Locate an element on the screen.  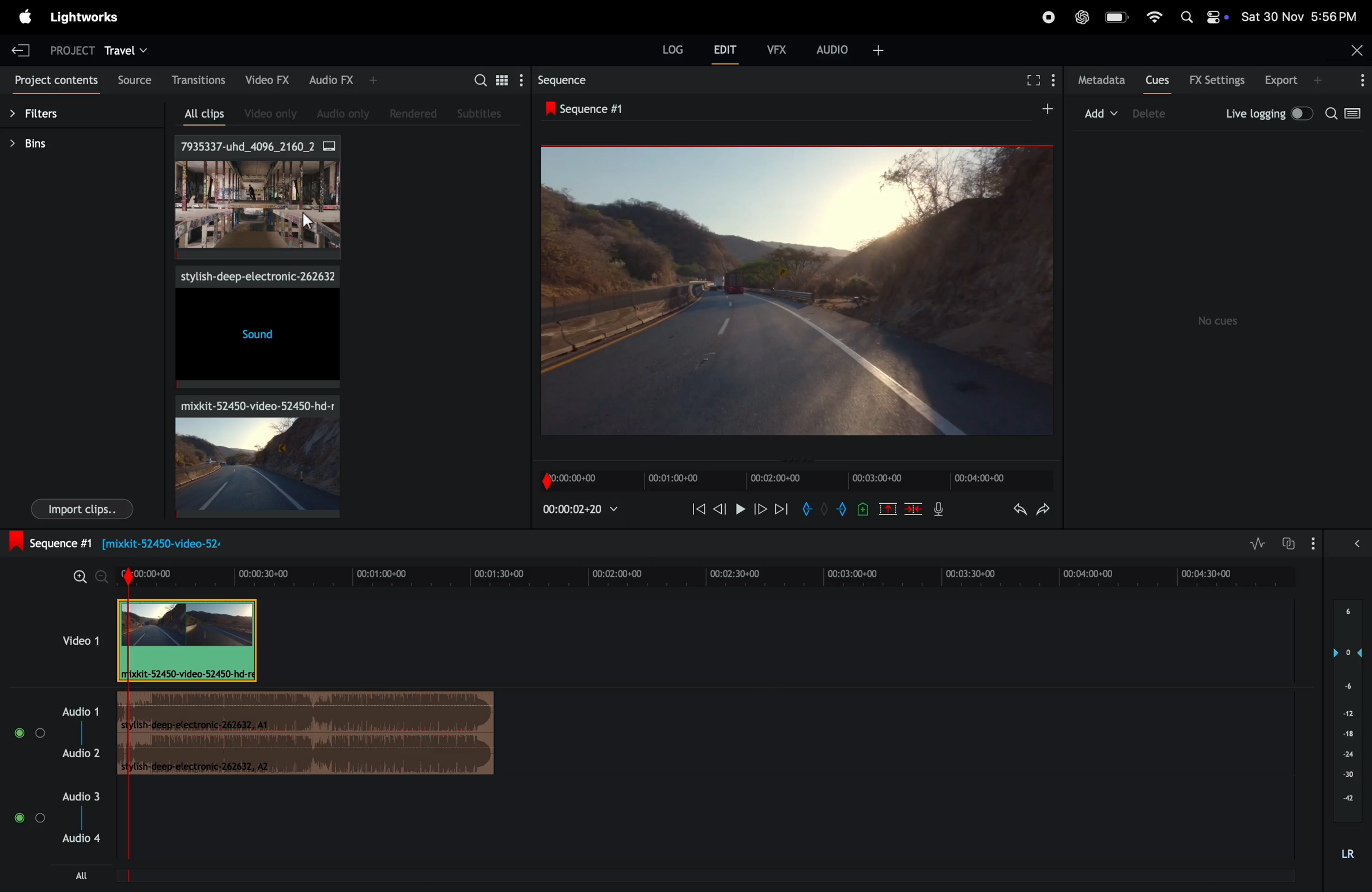
playback time is located at coordinates (585, 509).